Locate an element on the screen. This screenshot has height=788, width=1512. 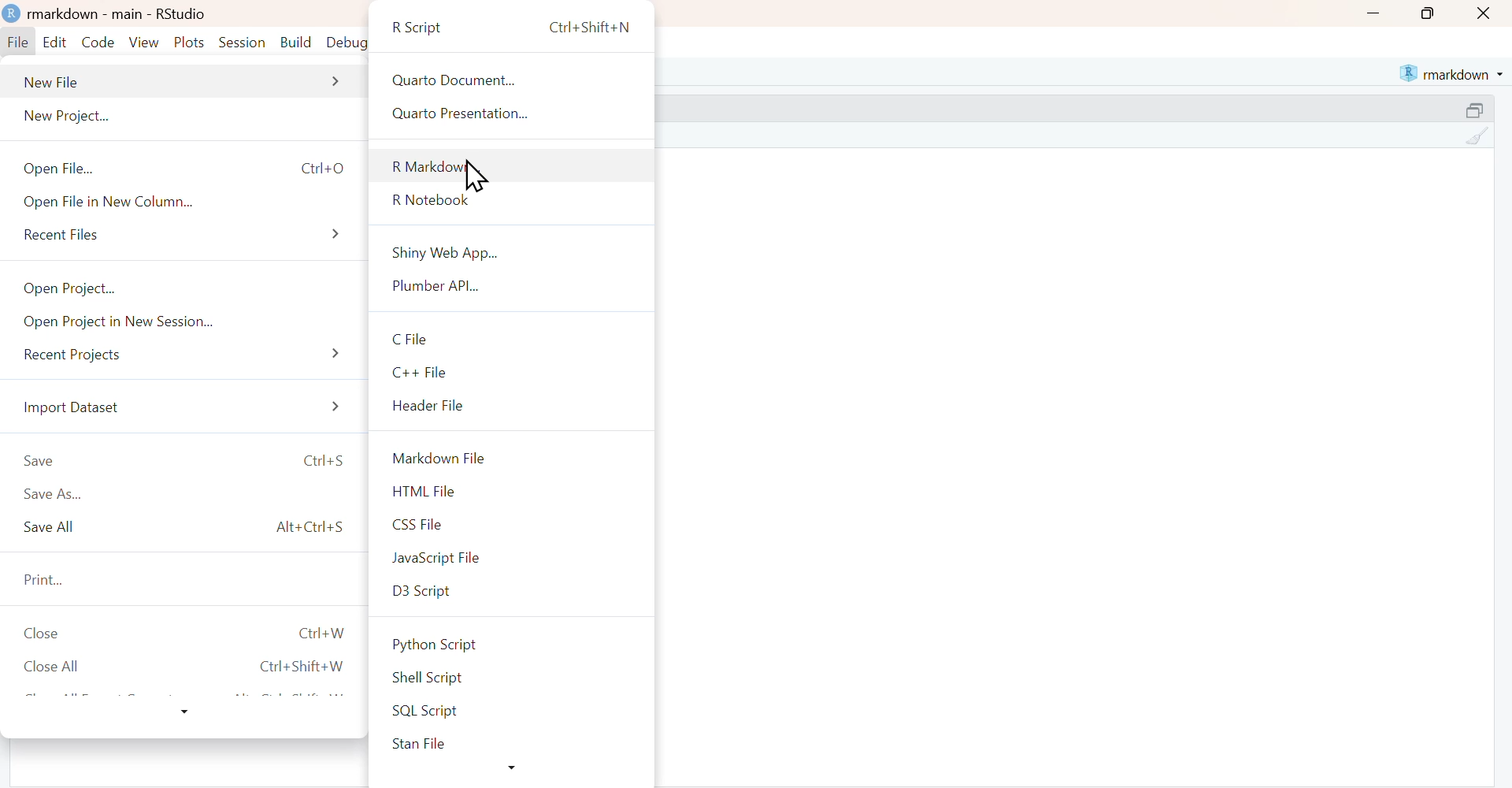
New File is located at coordinates (185, 81).